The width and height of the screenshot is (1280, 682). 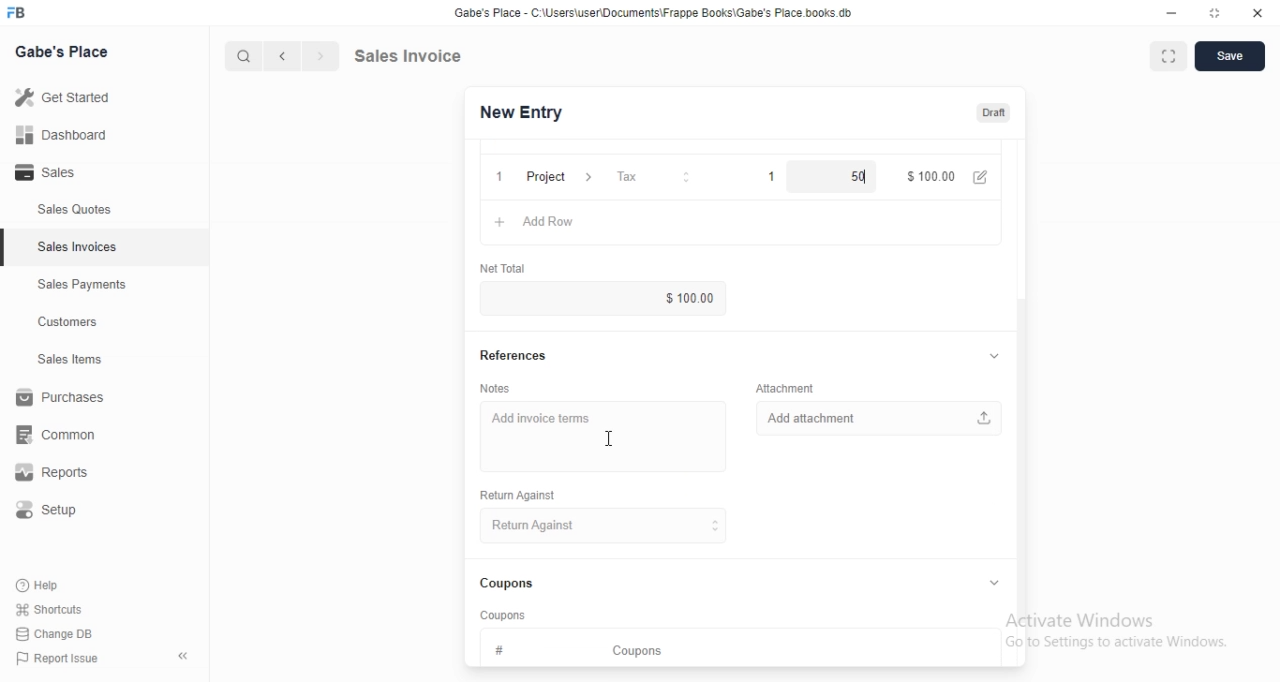 What do you see at coordinates (930, 175) in the screenshot?
I see `$100.00` at bounding box center [930, 175].